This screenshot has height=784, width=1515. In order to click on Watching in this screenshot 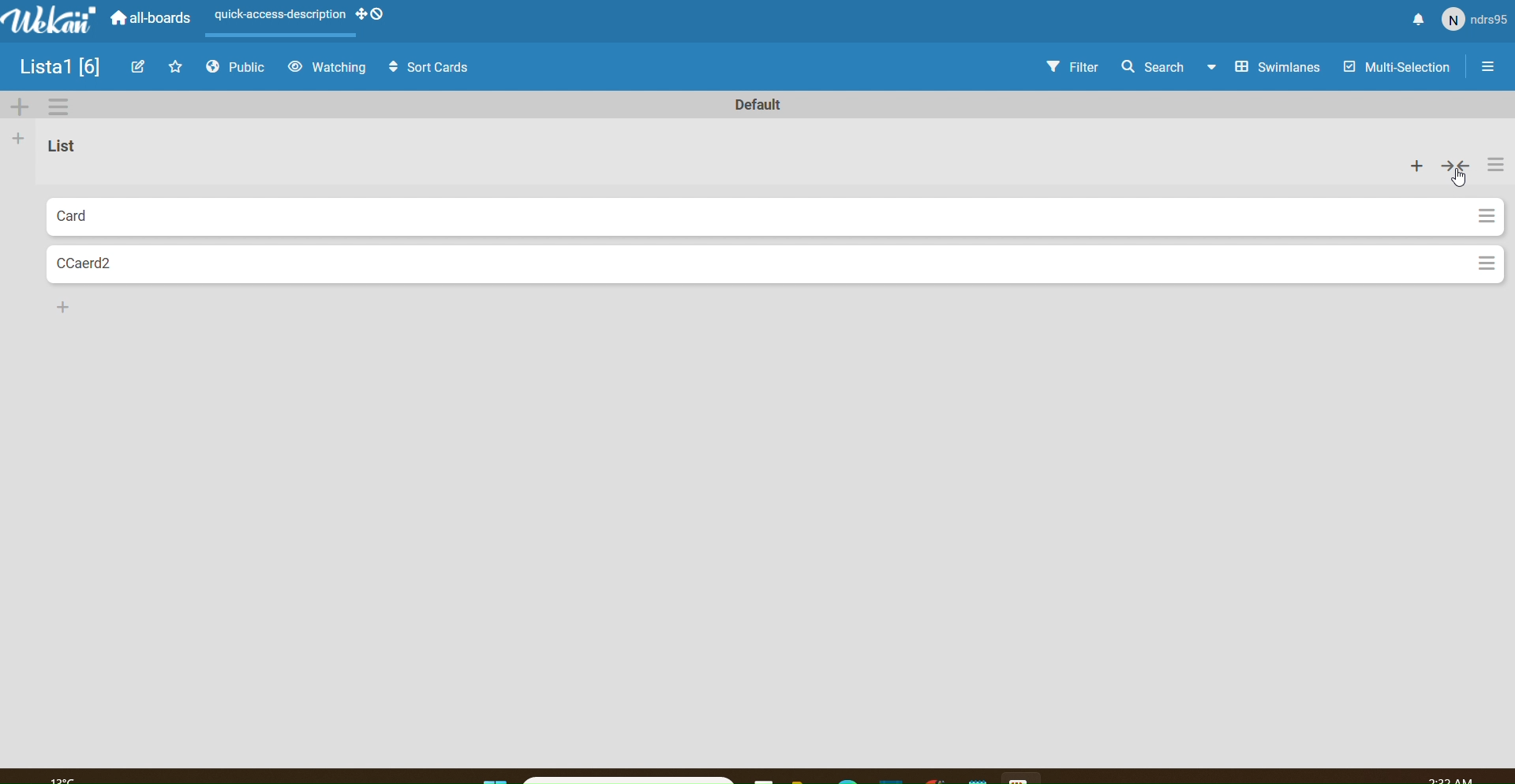, I will do `click(324, 67)`.